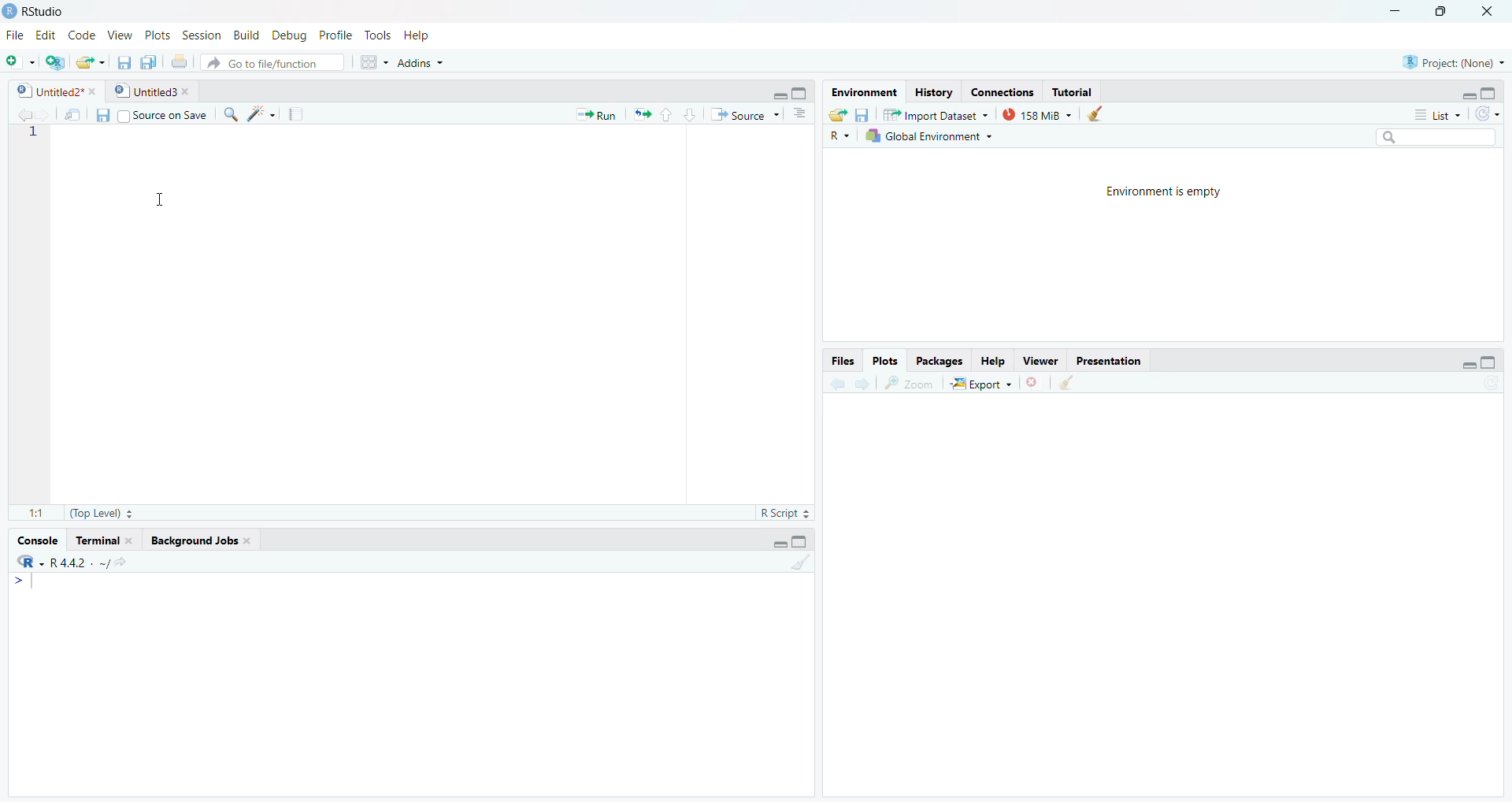  Describe the element at coordinates (245, 35) in the screenshot. I see `Build` at that location.